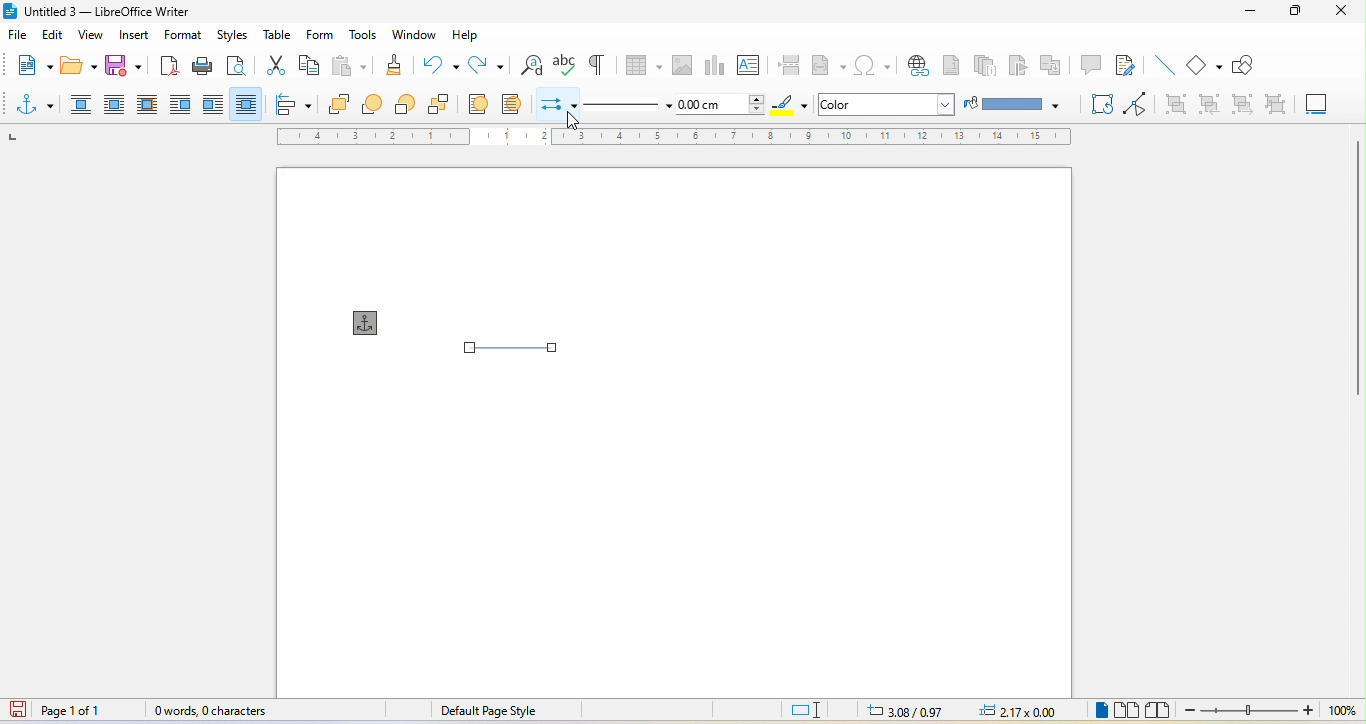 The image size is (1366, 724). I want to click on new, so click(32, 63).